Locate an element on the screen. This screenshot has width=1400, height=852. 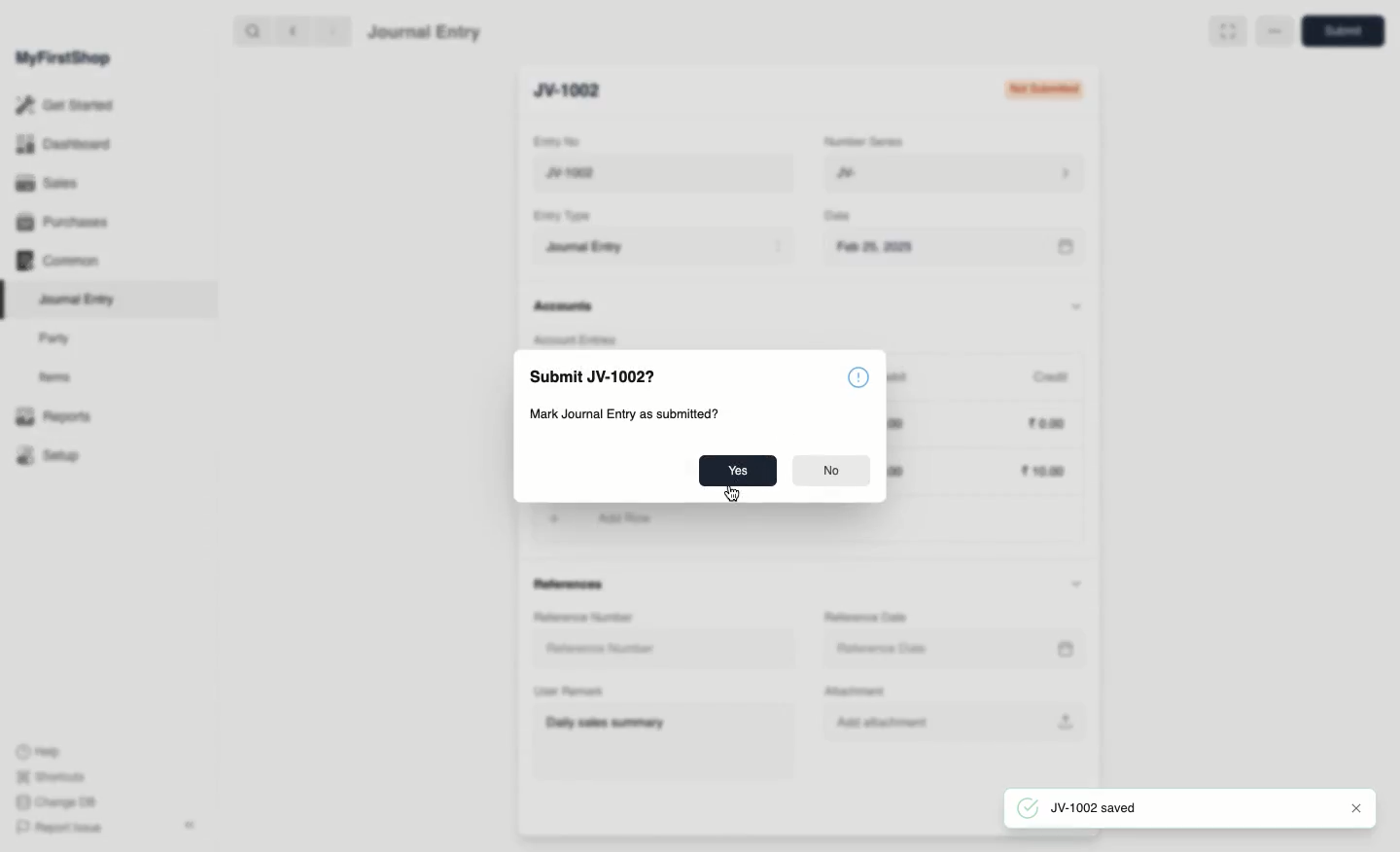
Reports is located at coordinates (52, 417).